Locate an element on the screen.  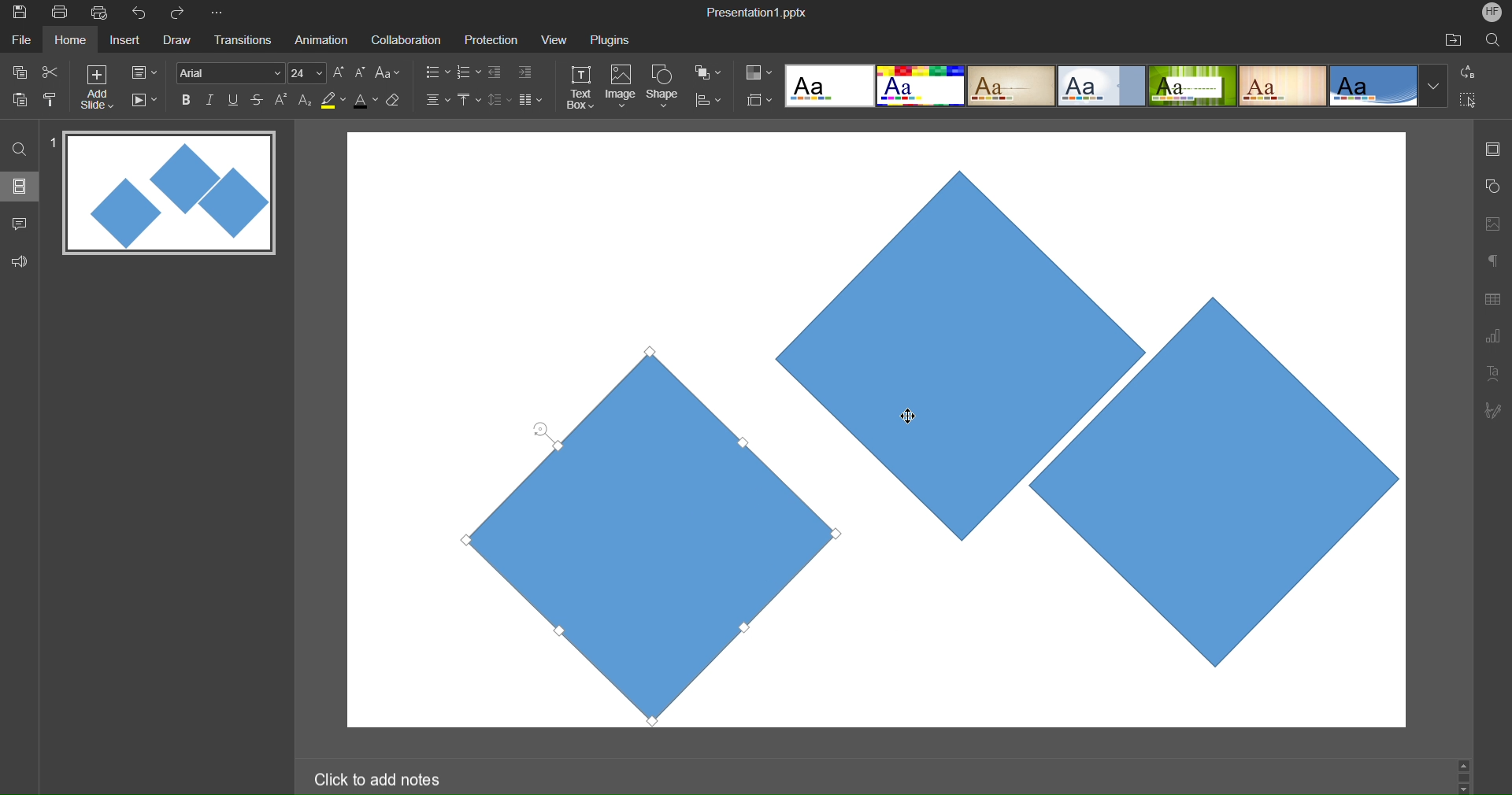
Font Case Settings is located at coordinates (388, 72).